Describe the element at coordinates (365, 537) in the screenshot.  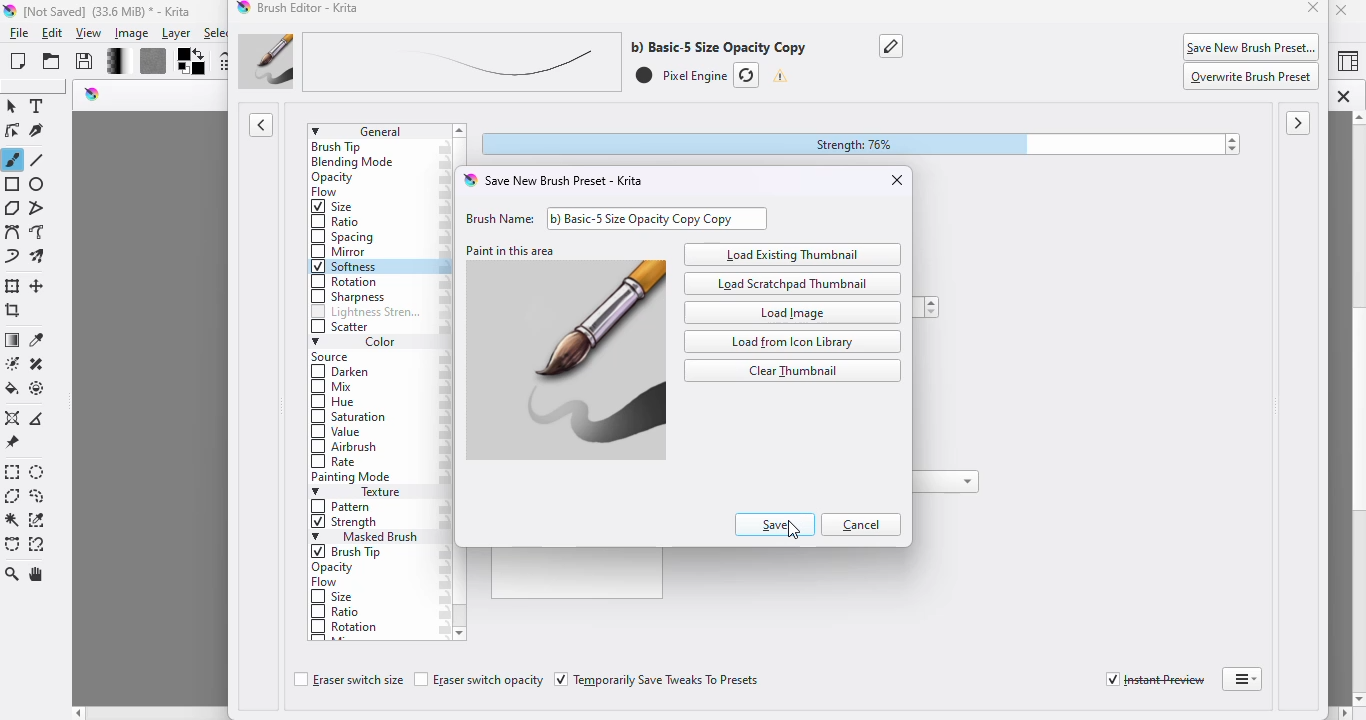
I see `masked brush` at that location.